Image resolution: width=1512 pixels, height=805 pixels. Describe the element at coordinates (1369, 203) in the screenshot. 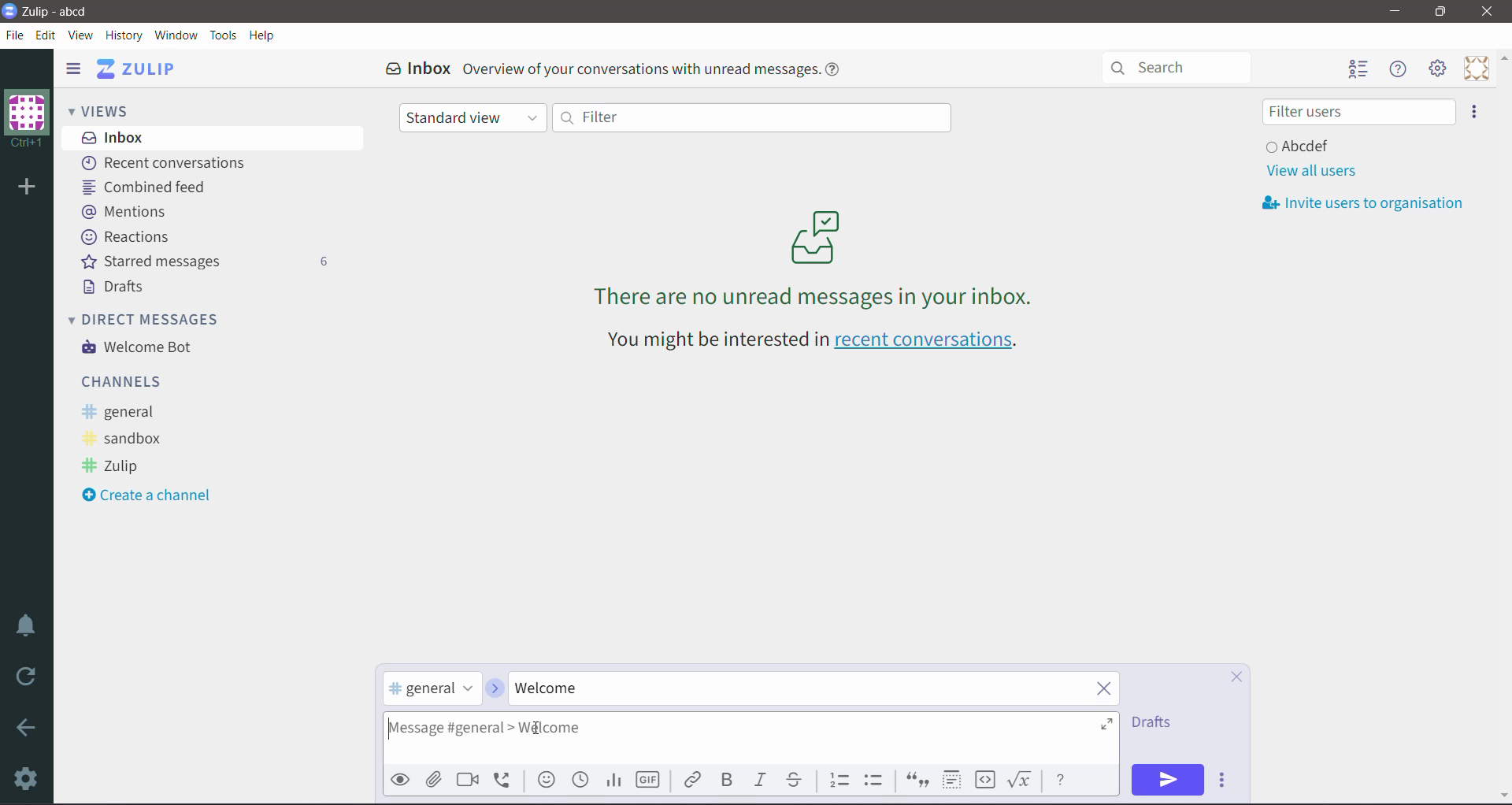

I see `Invite usersto organization` at that location.